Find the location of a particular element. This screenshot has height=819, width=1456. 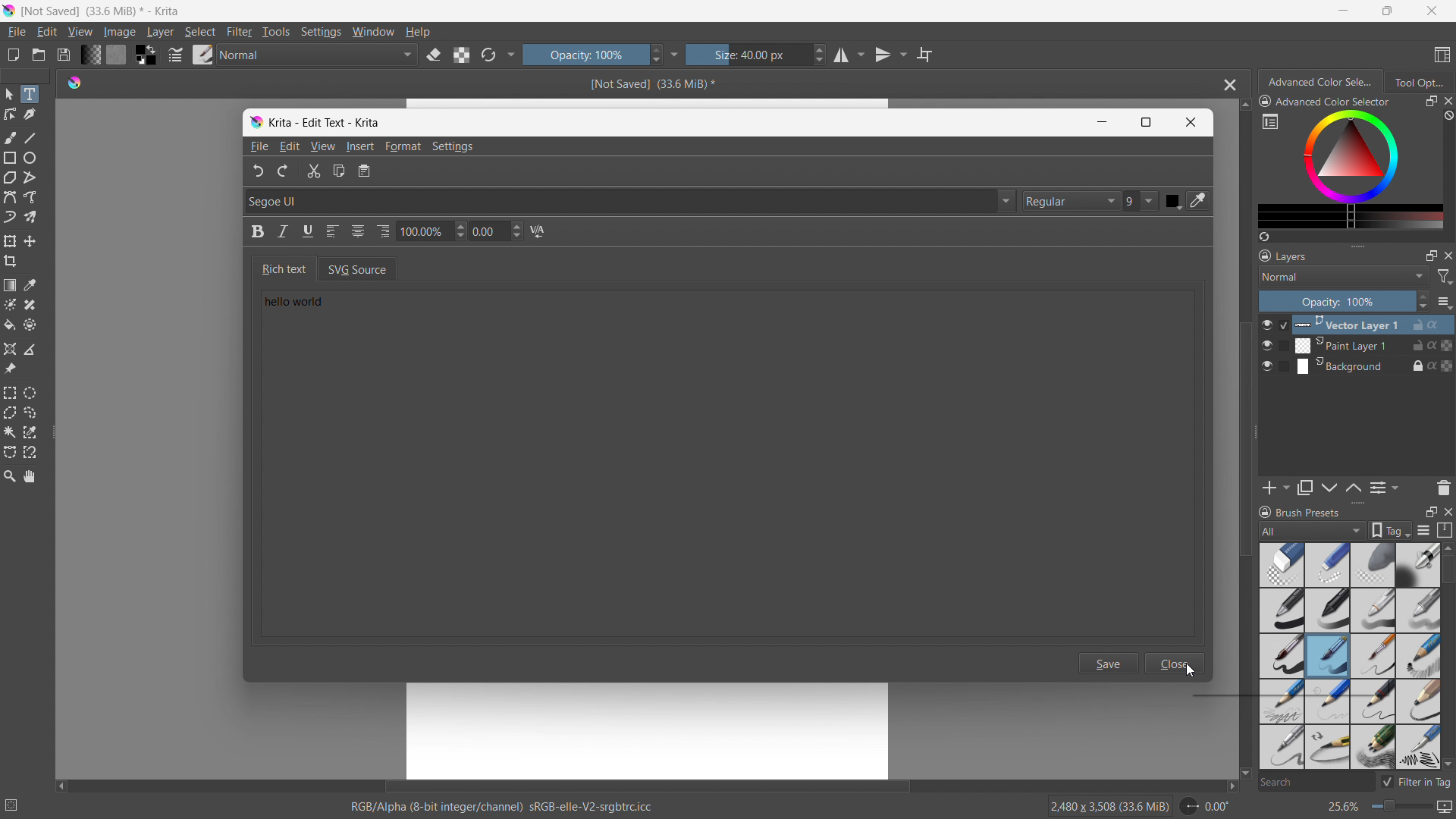

save is located at coordinates (1112, 665).